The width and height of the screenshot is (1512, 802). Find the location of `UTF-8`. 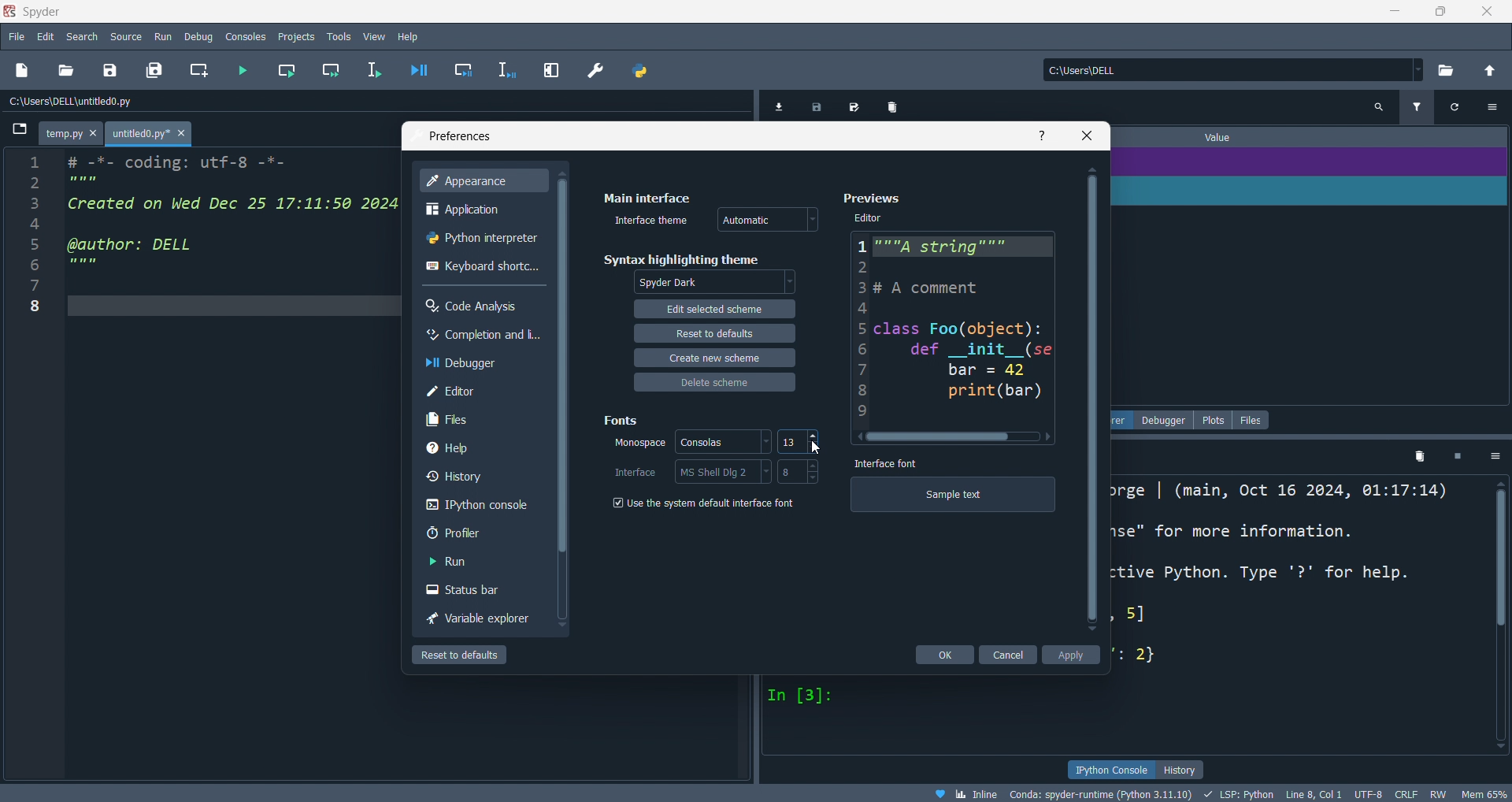

UTF-8 is located at coordinates (1371, 792).